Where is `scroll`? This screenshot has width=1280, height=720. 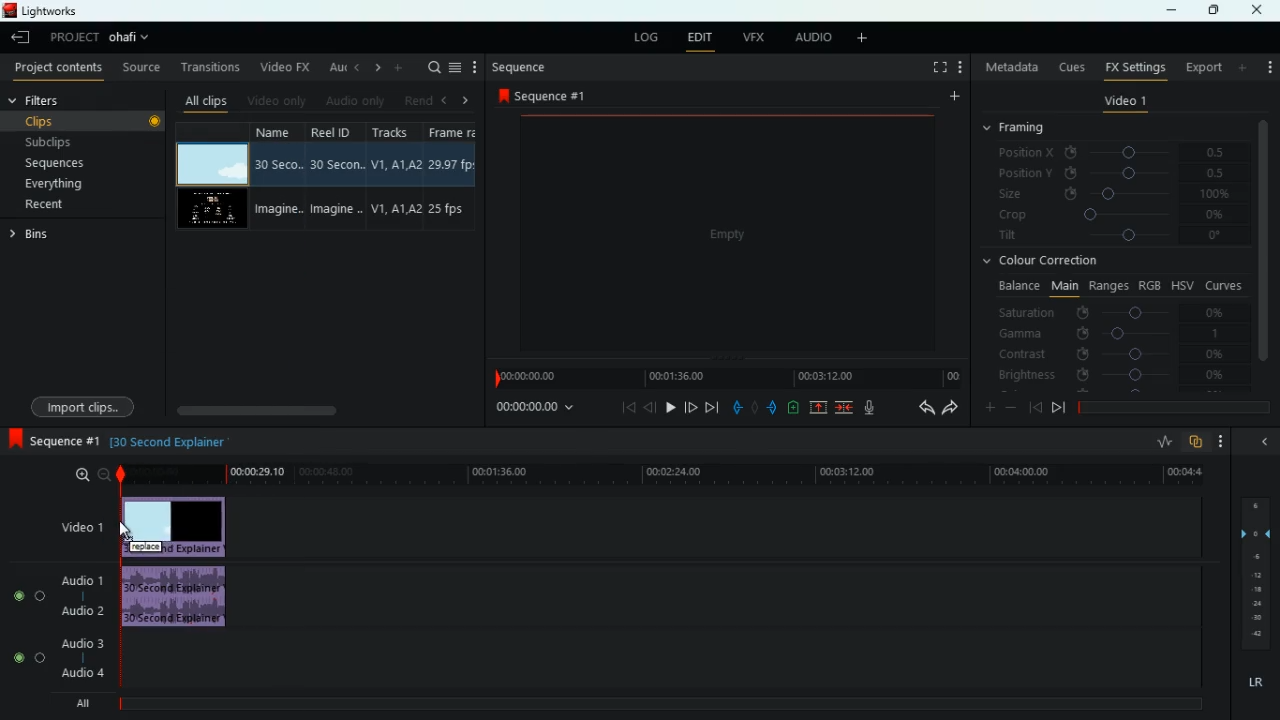
scroll is located at coordinates (323, 410).